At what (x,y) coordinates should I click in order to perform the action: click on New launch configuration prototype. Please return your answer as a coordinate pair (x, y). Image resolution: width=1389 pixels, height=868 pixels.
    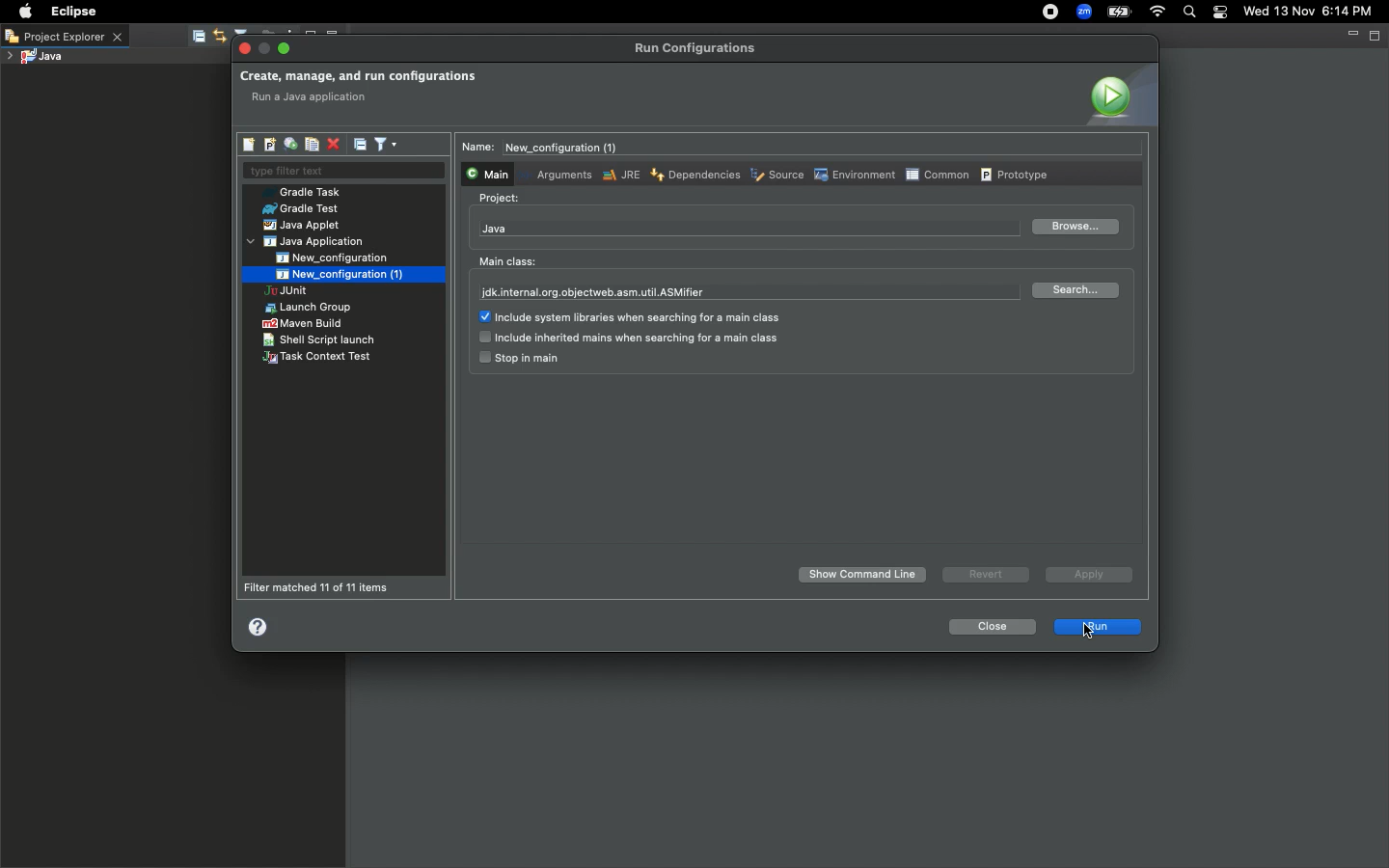
    Looking at the image, I should click on (268, 145).